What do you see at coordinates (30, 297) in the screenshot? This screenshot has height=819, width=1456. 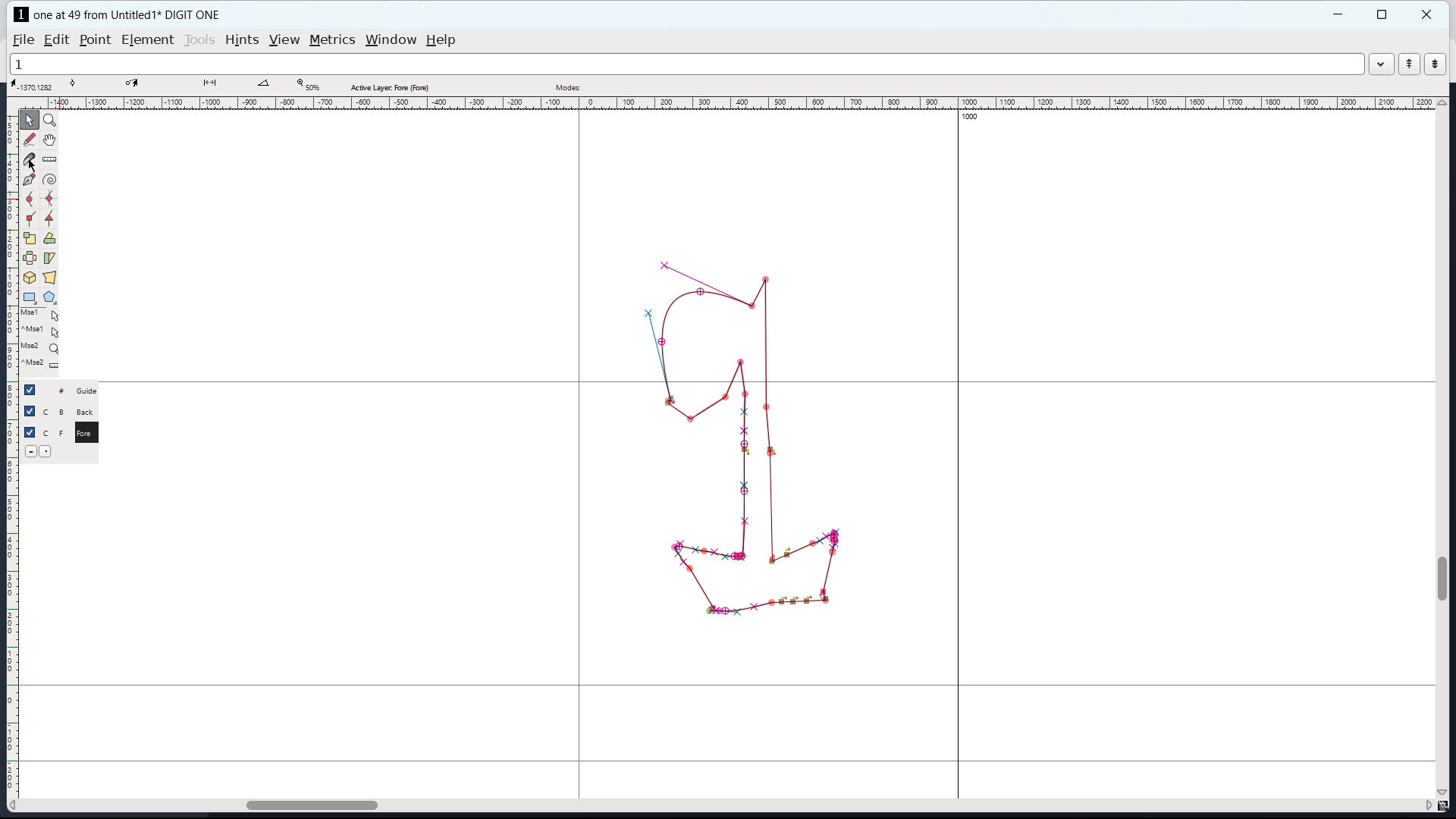 I see `rectangle or ellipse` at bounding box center [30, 297].